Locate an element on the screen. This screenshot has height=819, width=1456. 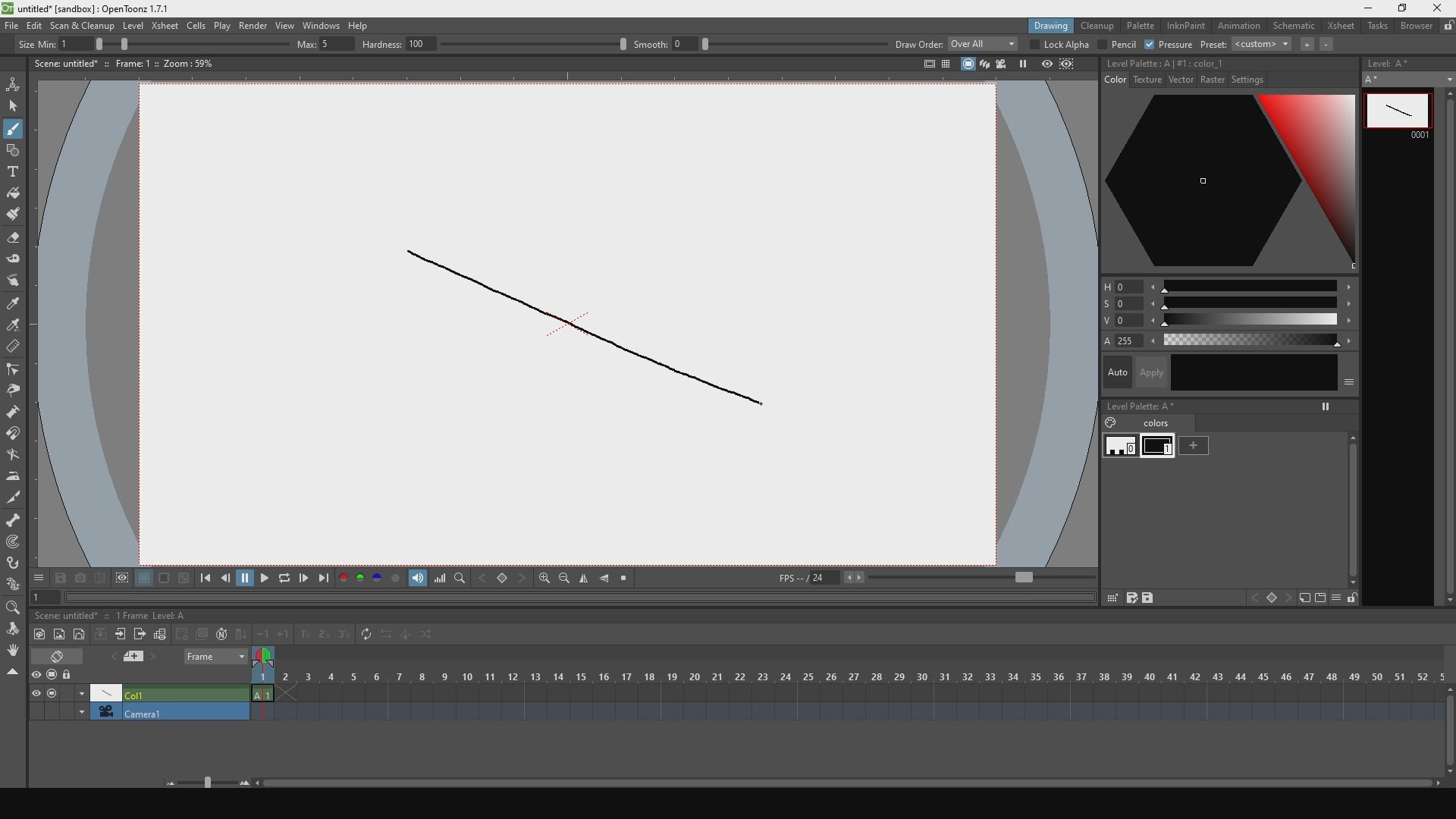
layers is located at coordinates (983, 65).